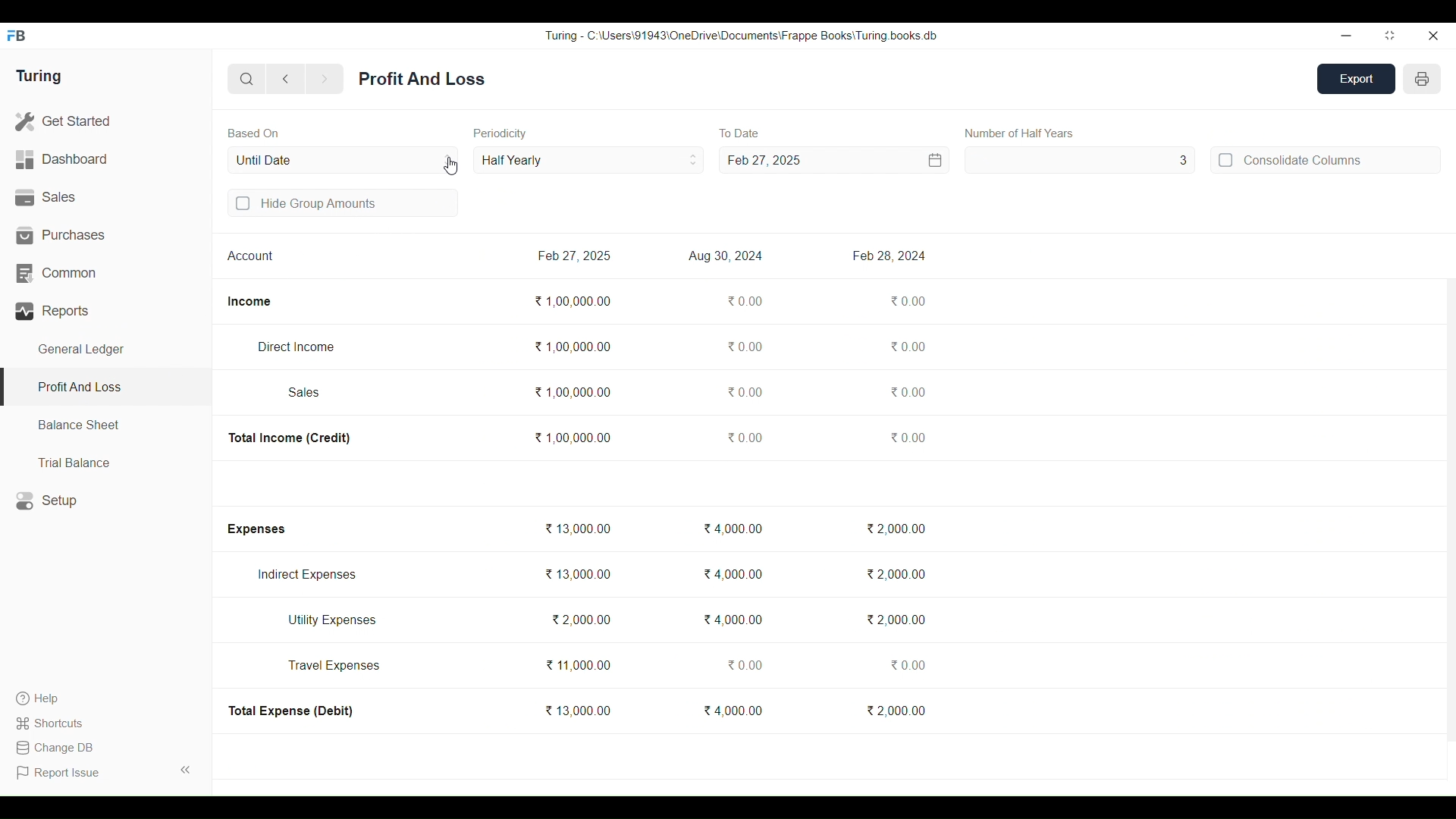 The width and height of the screenshot is (1456, 819). I want to click on Turing, so click(38, 77).